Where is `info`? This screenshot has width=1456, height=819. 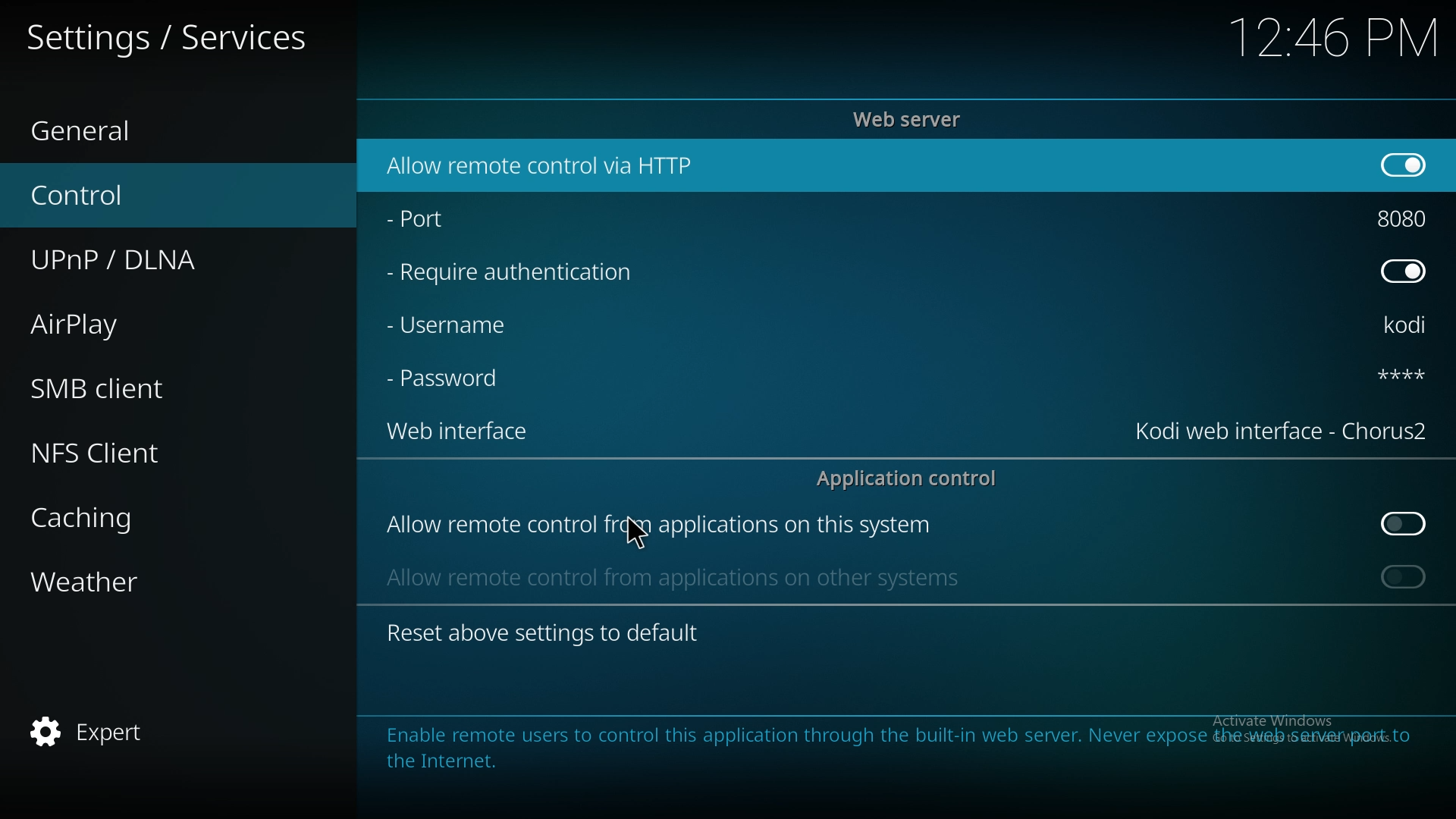 info is located at coordinates (883, 746).